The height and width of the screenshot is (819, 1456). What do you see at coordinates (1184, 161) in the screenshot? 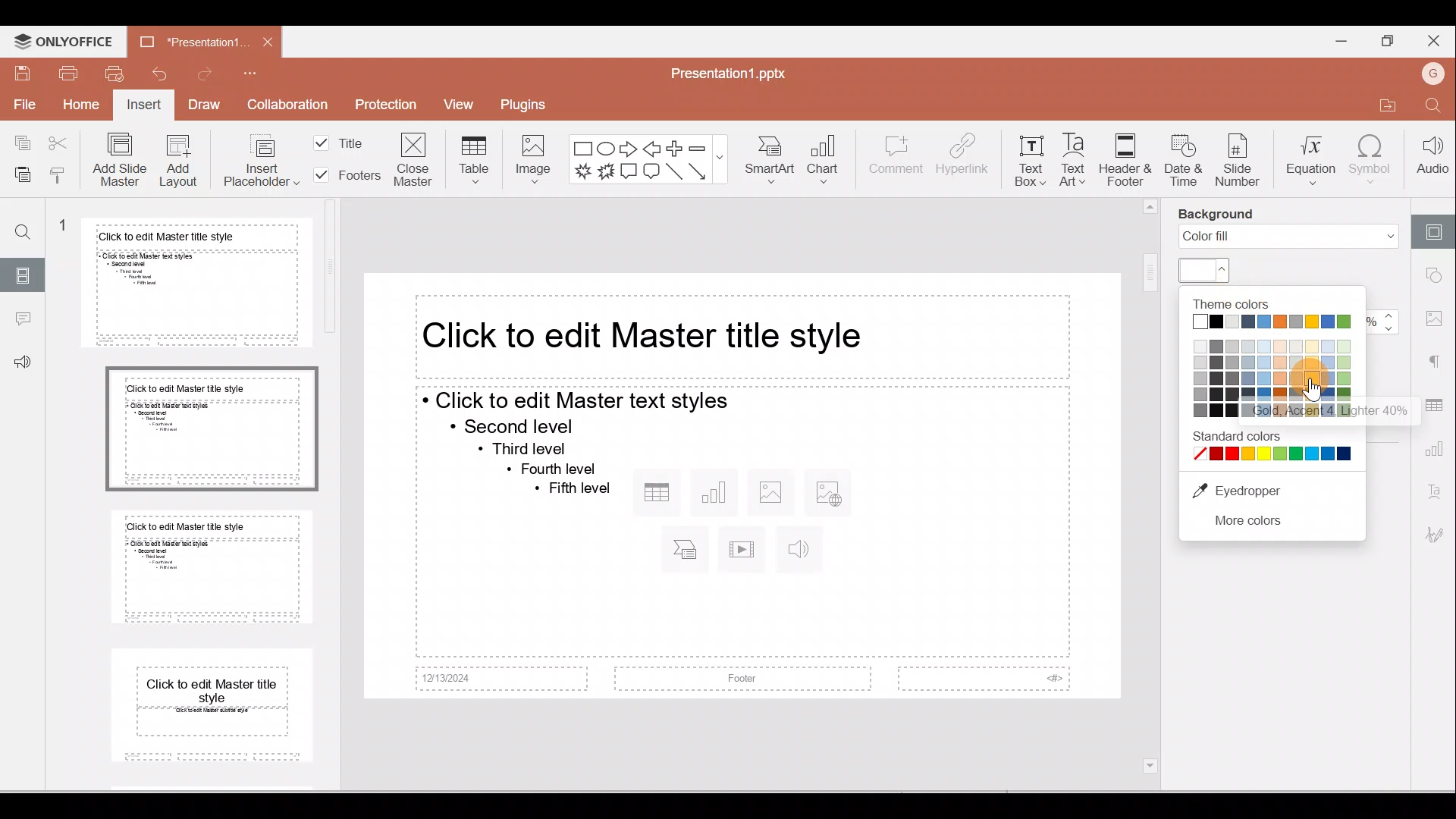
I see `Date & time` at bounding box center [1184, 161].